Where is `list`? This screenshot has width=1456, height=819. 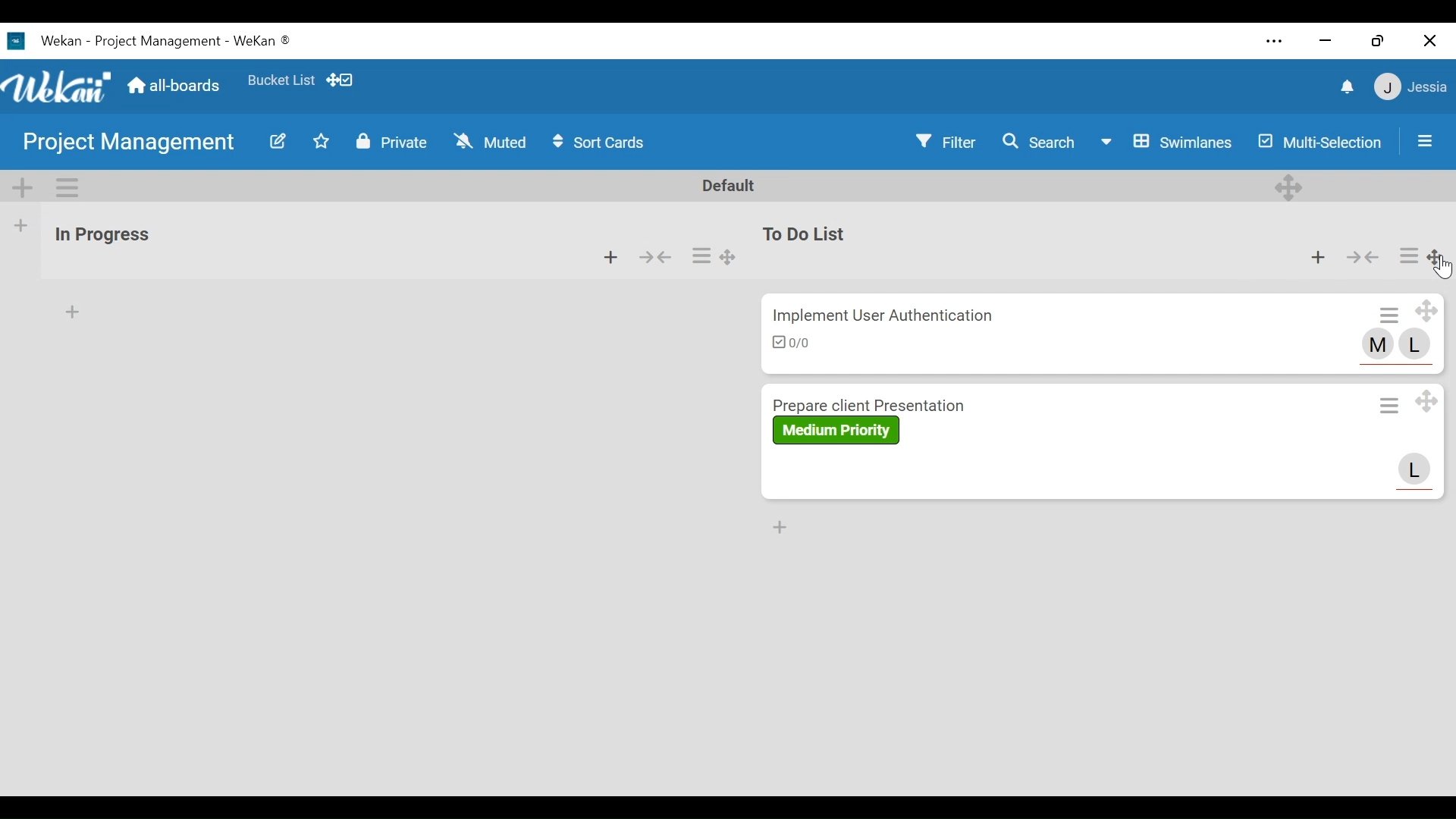
list is located at coordinates (968, 246).